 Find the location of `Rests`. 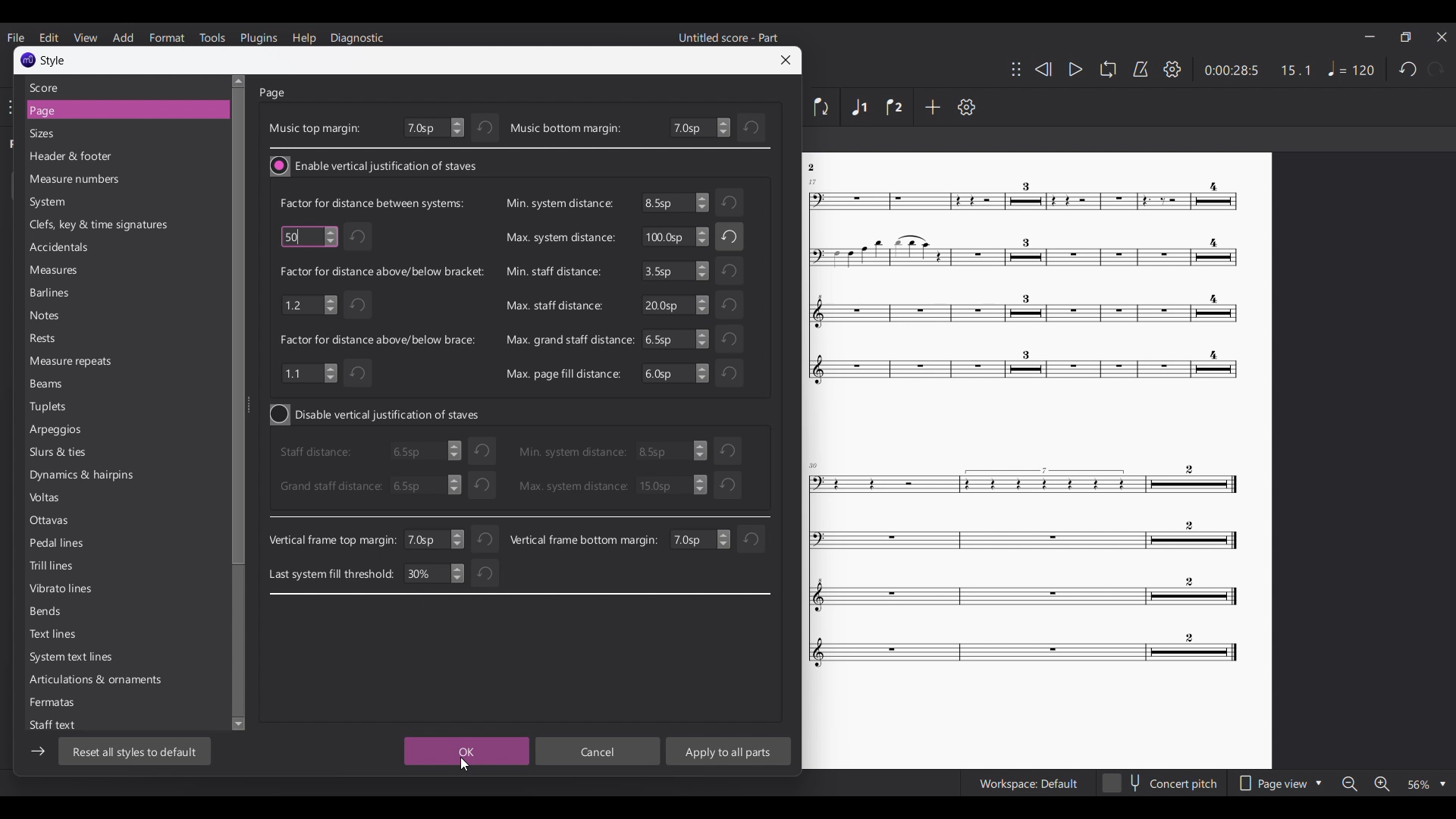

Rests is located at coordinates (71, 340).